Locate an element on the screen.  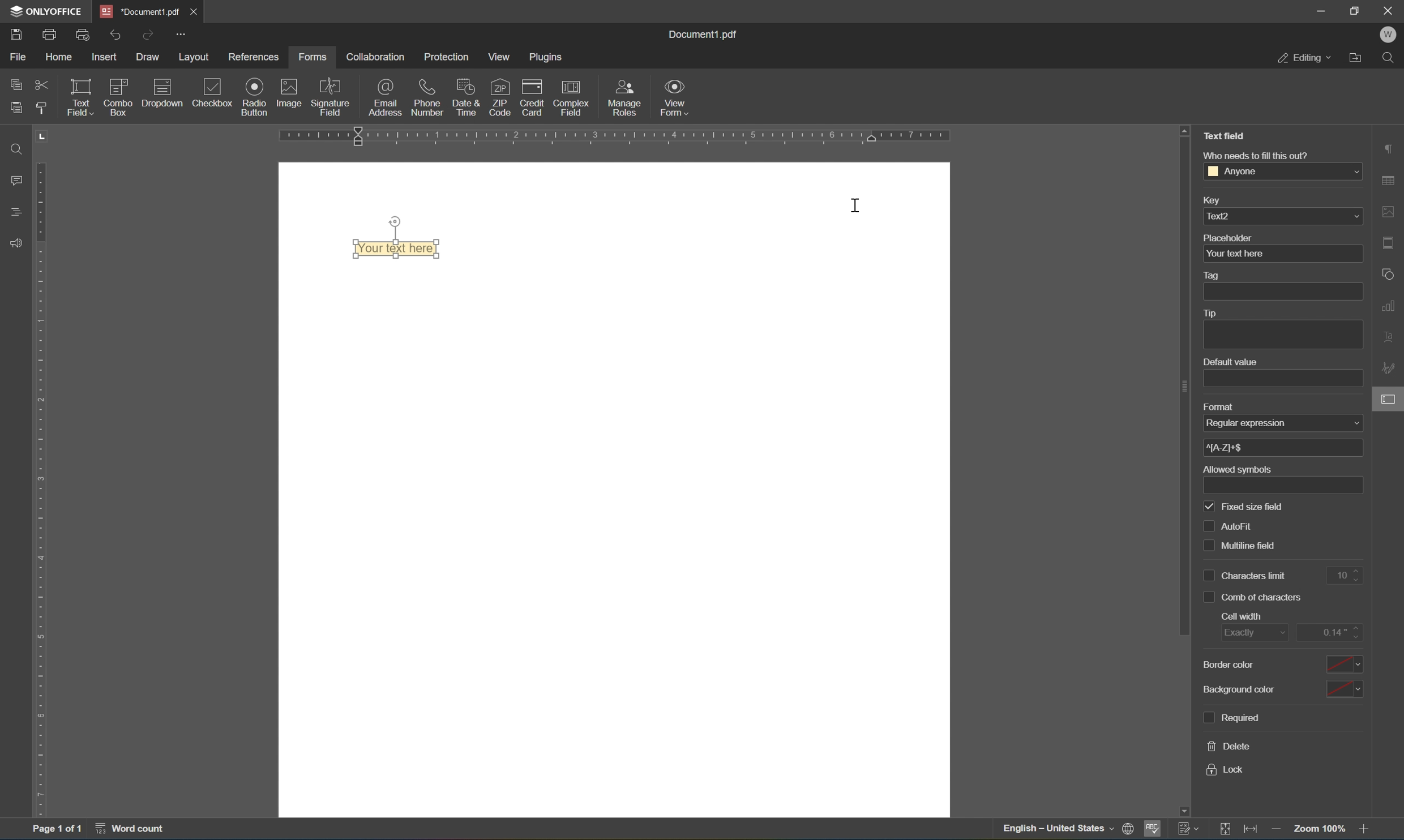
close is located at coordinates (1391, 9).